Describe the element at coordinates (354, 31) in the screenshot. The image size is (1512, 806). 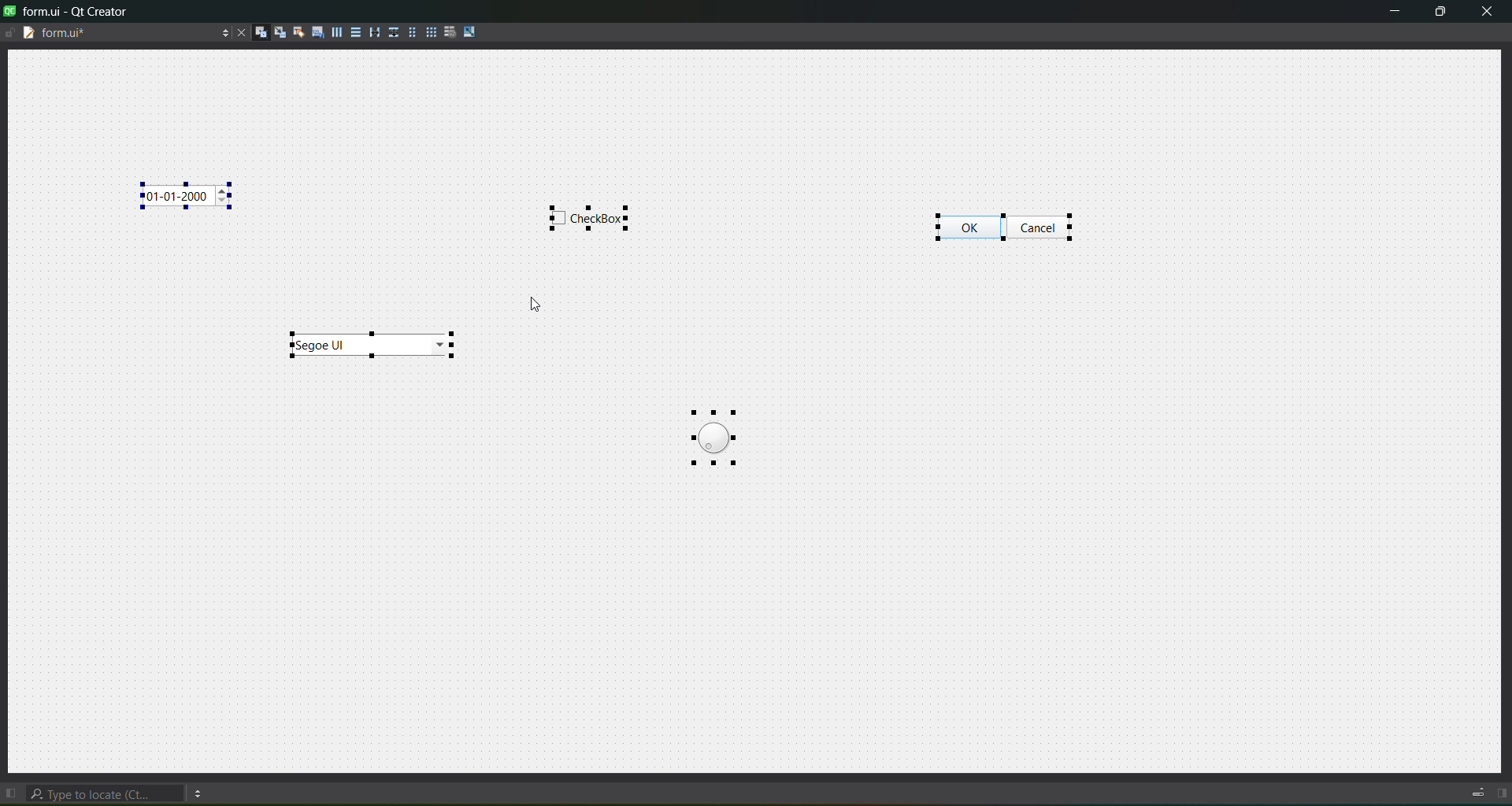
I see `Layout Vertically` at that location.